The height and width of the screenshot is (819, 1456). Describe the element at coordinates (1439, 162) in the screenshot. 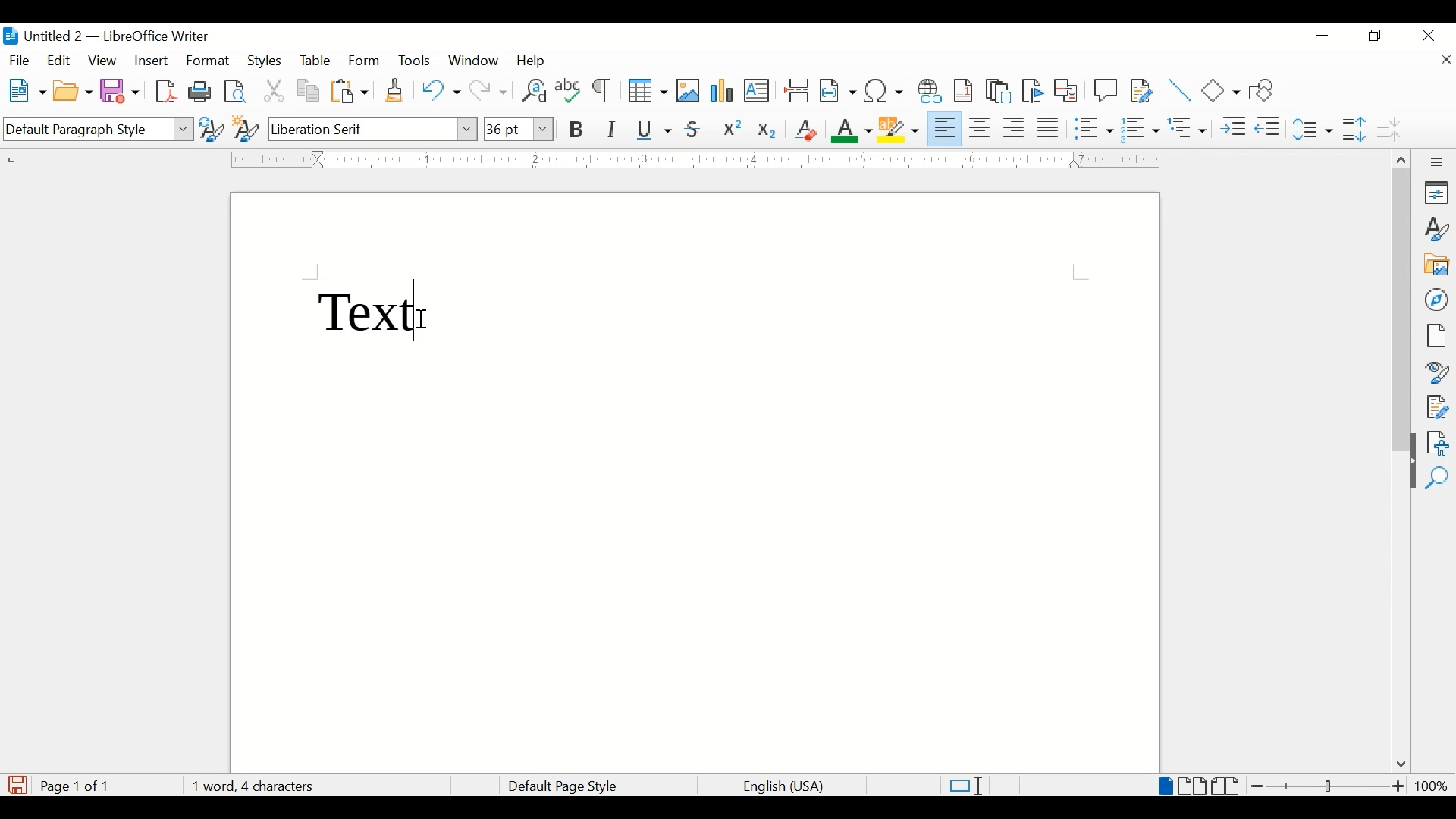

I see `more options` at that location.